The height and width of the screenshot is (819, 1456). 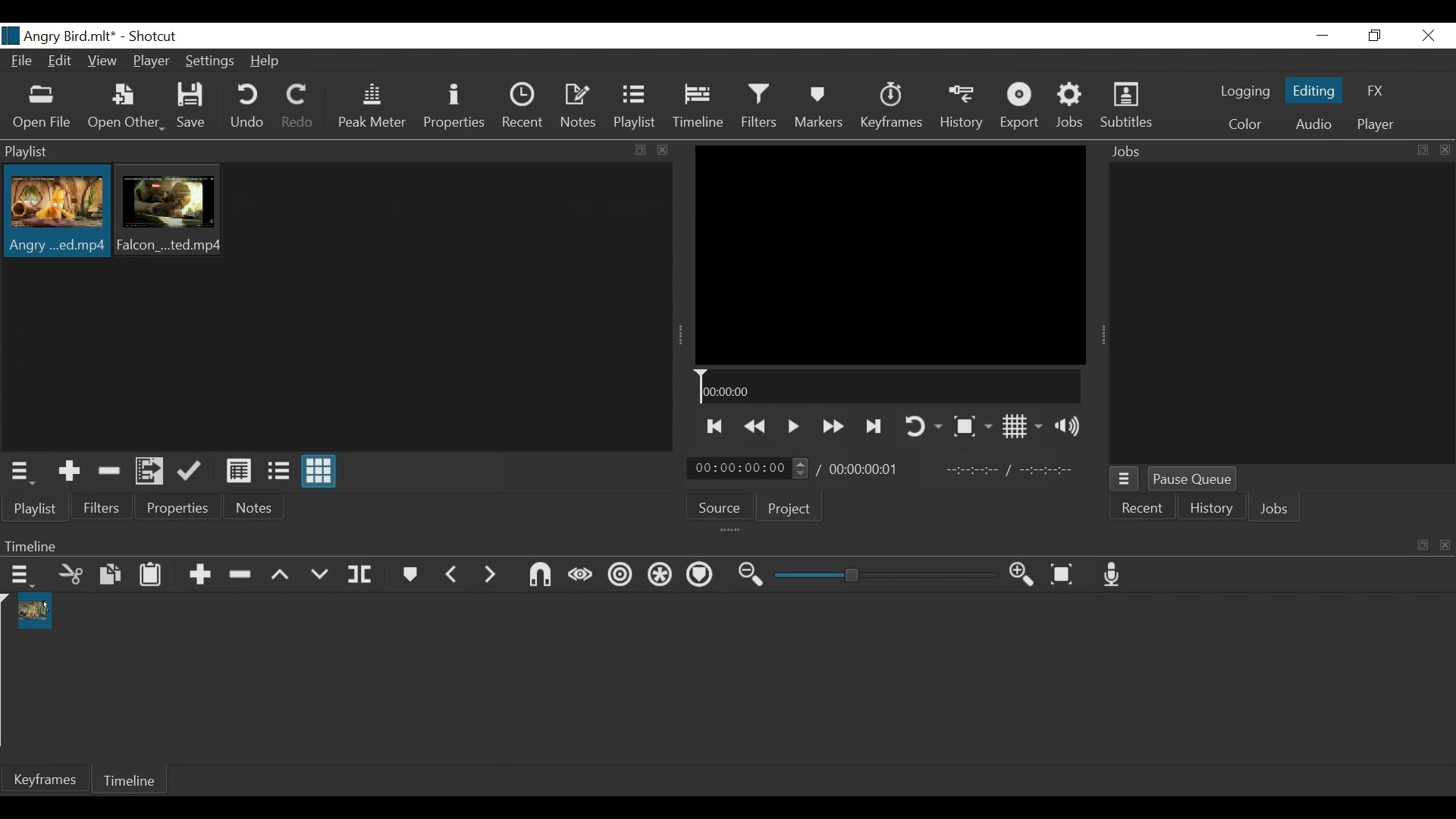 What do you see at coordinates (172, 212) in the screenshot?
I see `Clip` at bounding box center [172, 212].